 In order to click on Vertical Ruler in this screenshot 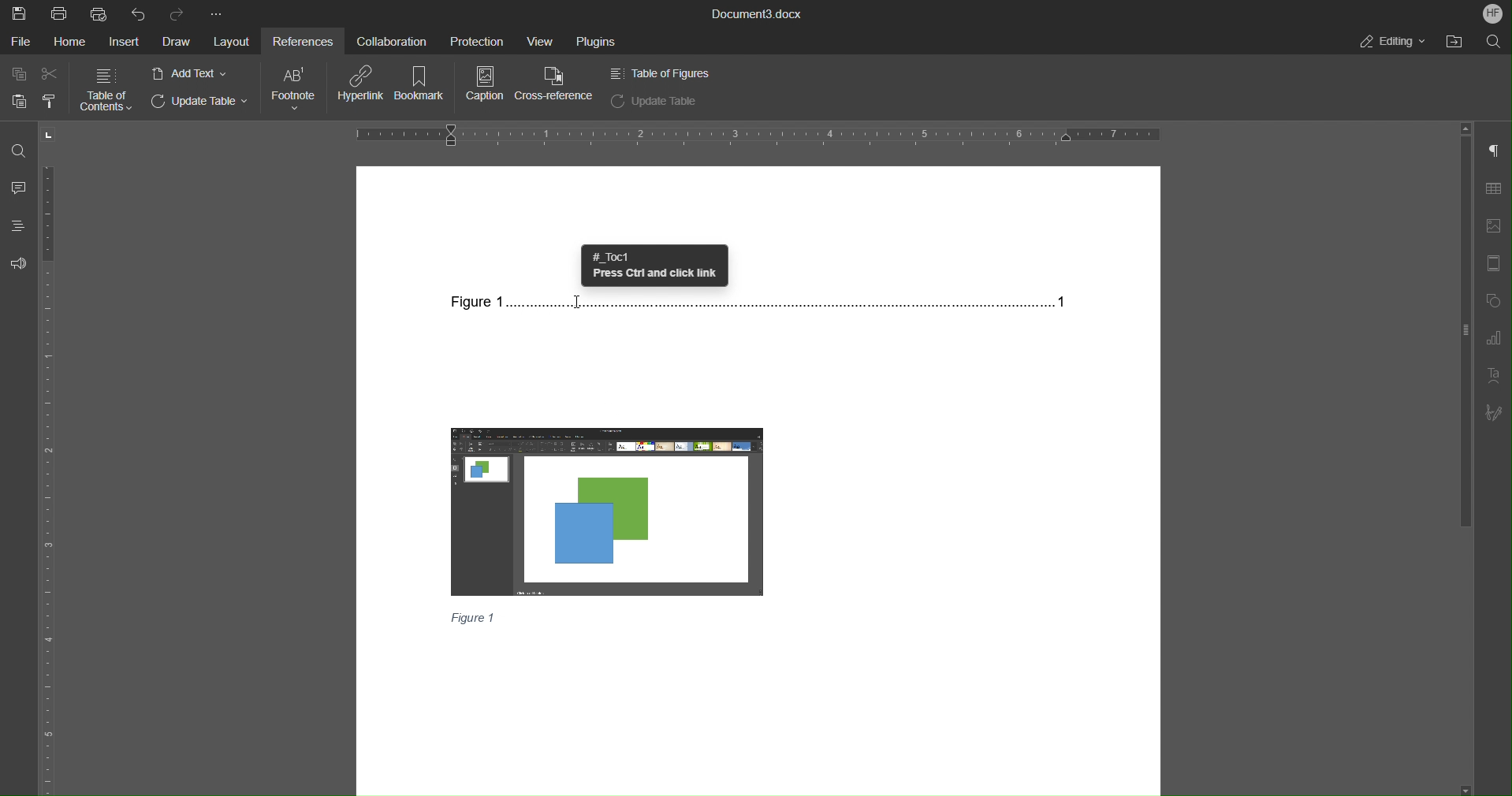, I will do `click(50, 478)`.